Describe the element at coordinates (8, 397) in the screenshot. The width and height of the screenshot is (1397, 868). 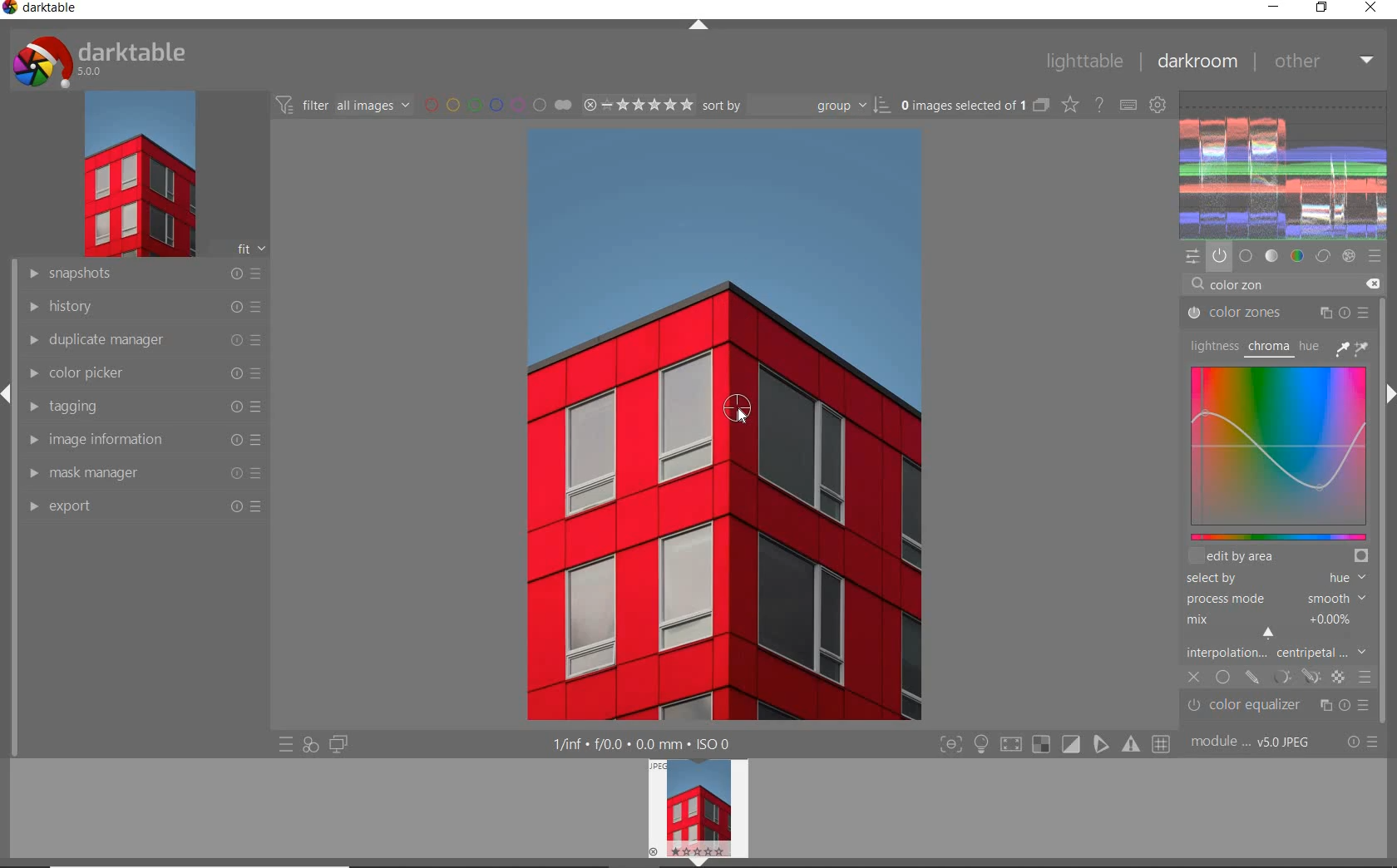
I see `expand/collapse` at that location.